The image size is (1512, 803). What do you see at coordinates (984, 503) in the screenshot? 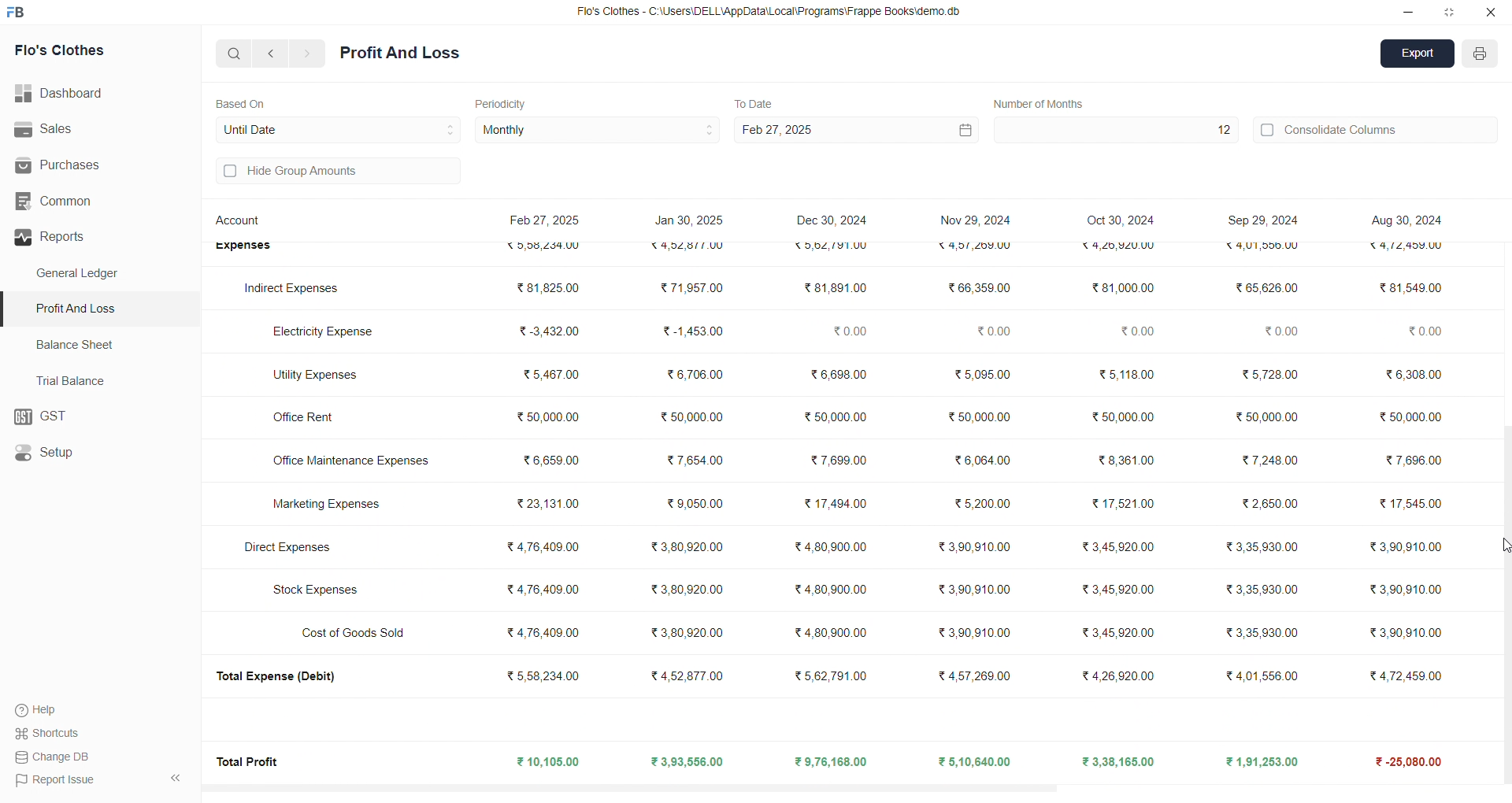
I see `₹5200.00` at bounding box center [984, 503].